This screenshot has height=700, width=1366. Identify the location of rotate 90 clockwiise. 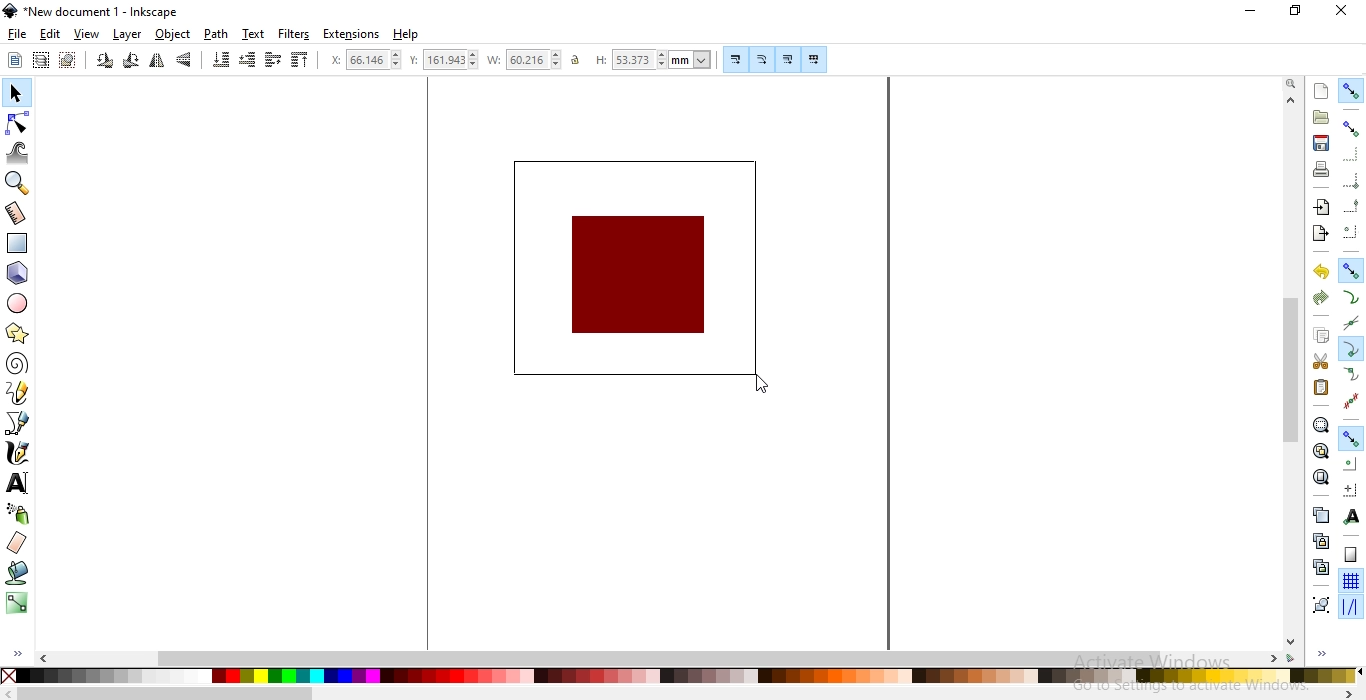
(129, 63).